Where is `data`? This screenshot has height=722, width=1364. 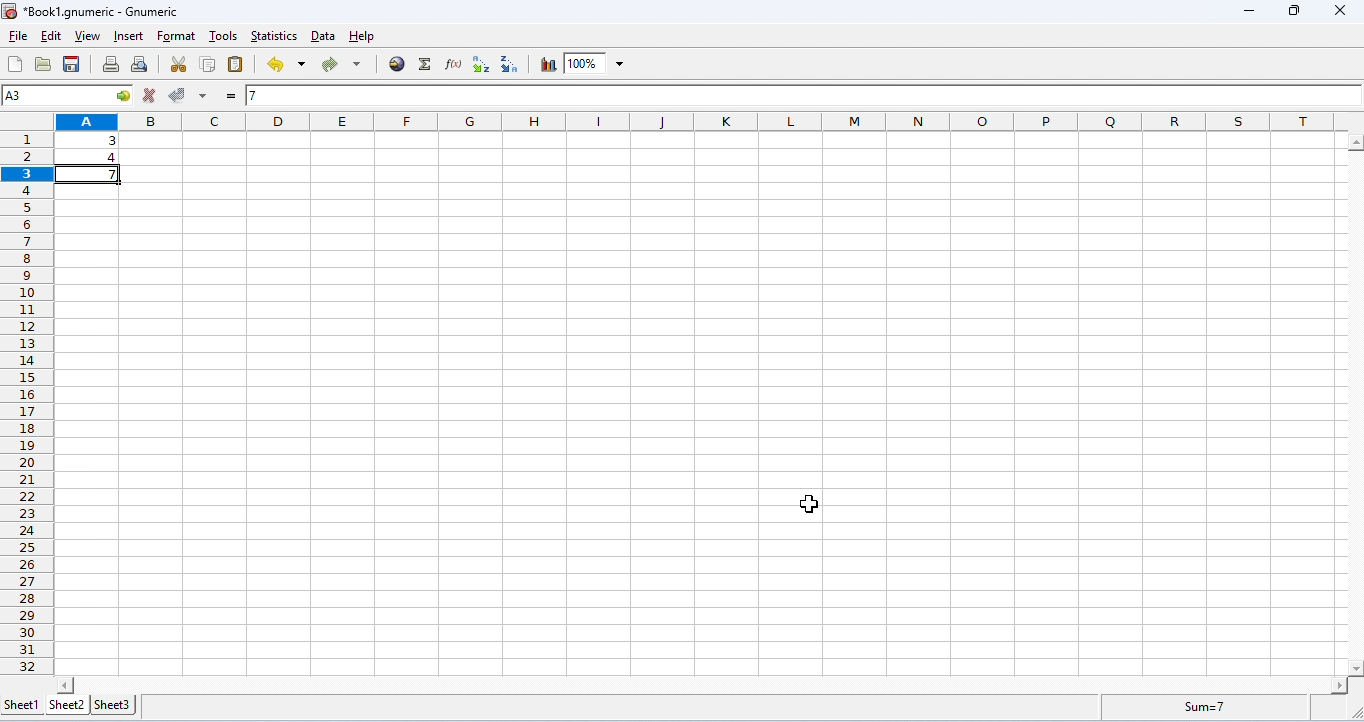 data is located at coordinates (94, 147).